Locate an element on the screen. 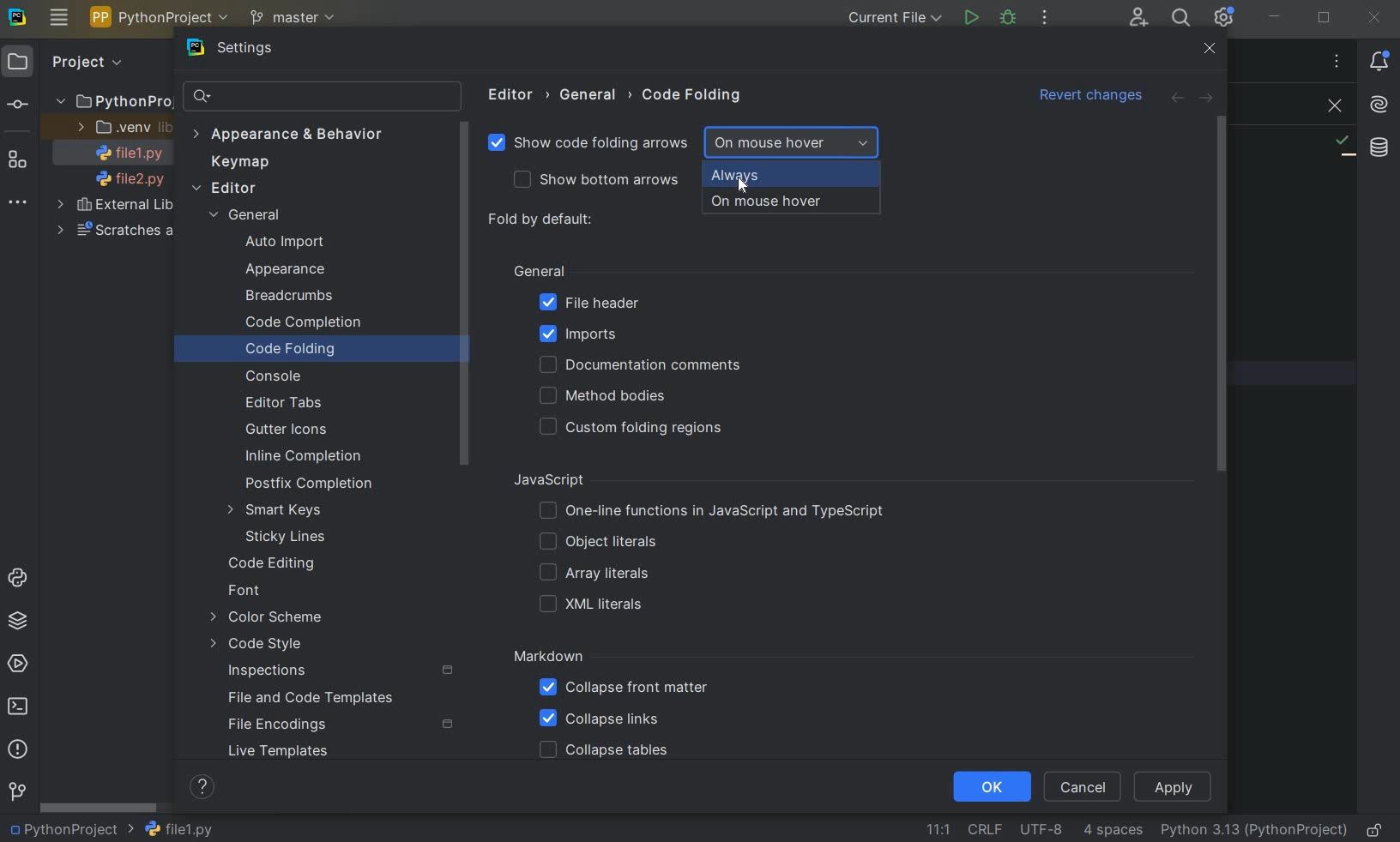  SHOW BUTTON ARROWS is located at coordinates (605, 181).